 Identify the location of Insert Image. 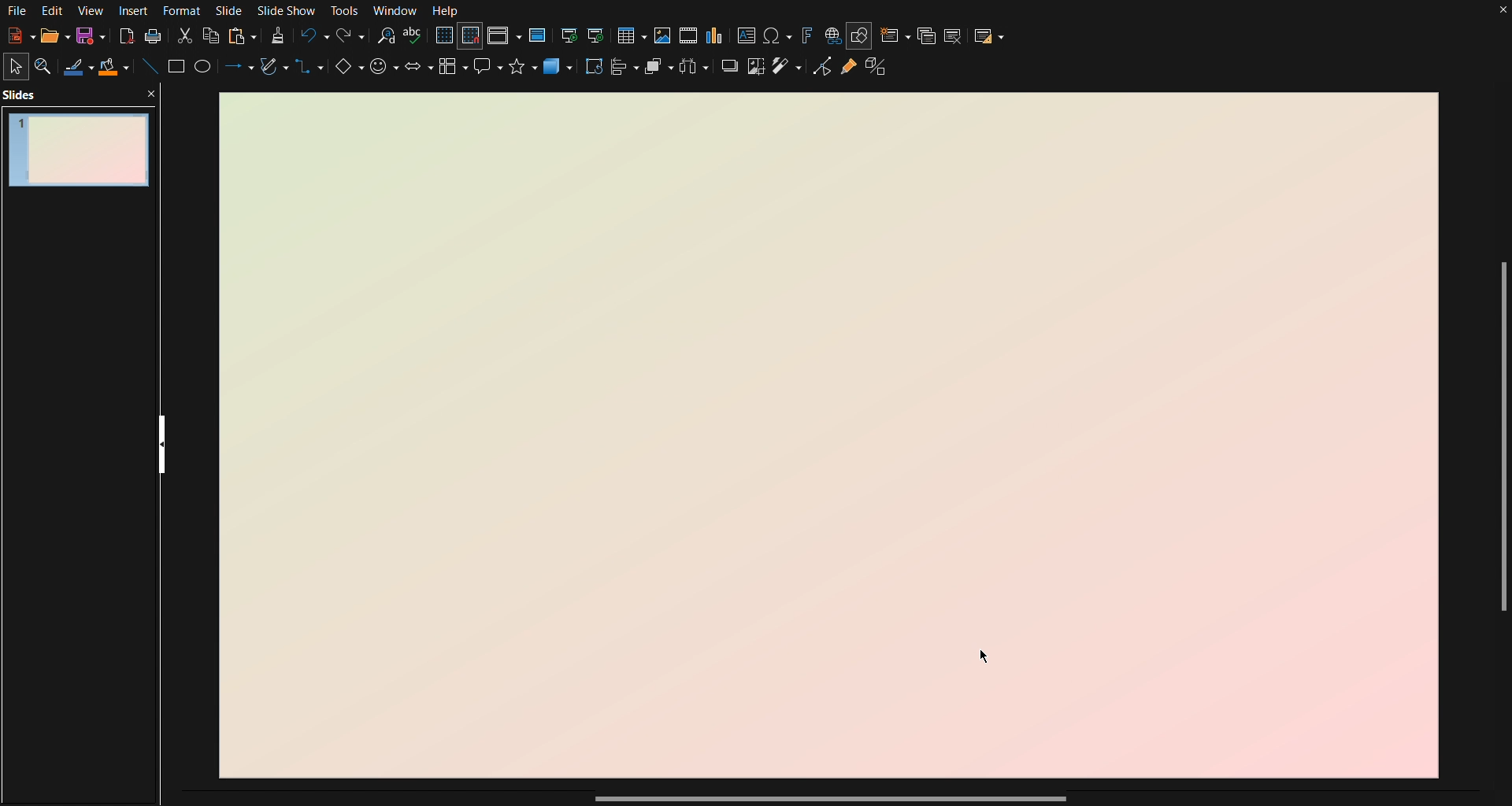
(665, 34).